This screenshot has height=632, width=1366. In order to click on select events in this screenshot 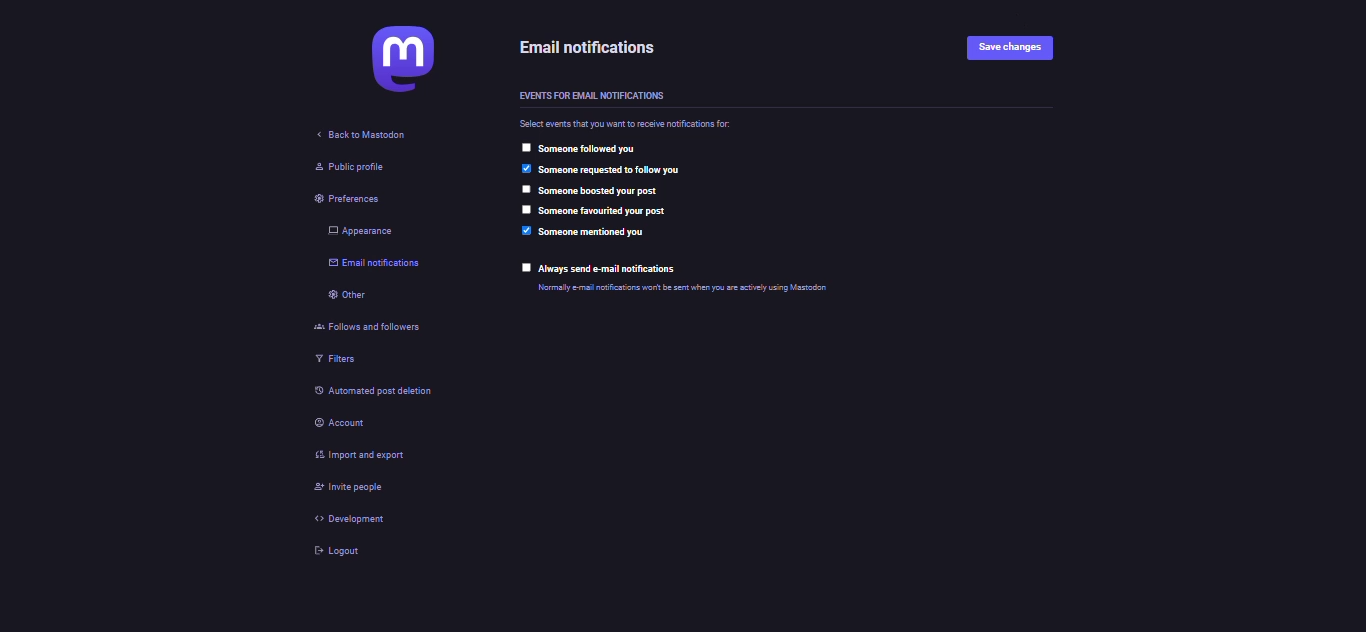, I will do `click(628, 124)`.